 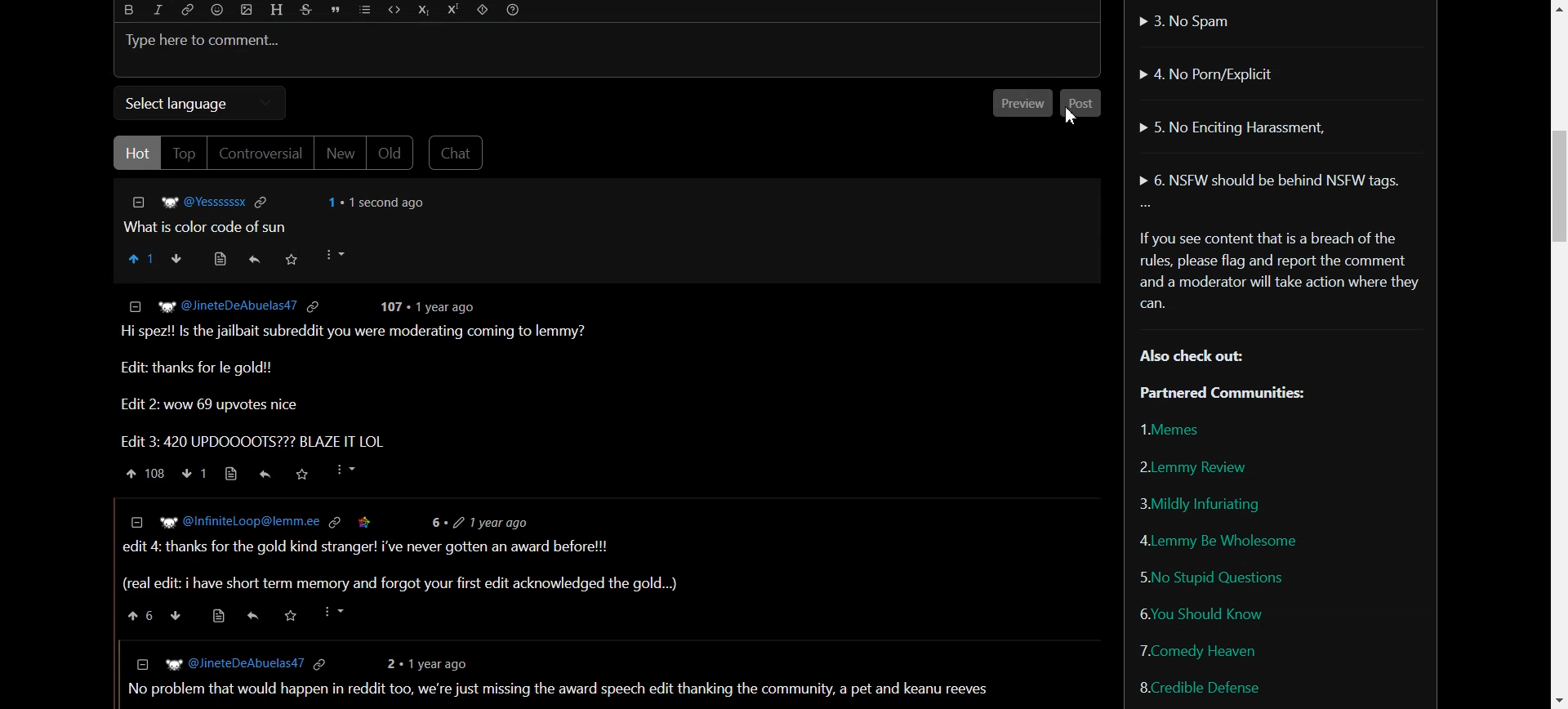 What do you see at coordinates (130, 10) in the screenshot?
I see `Bold` at bounding box center [130, 10].